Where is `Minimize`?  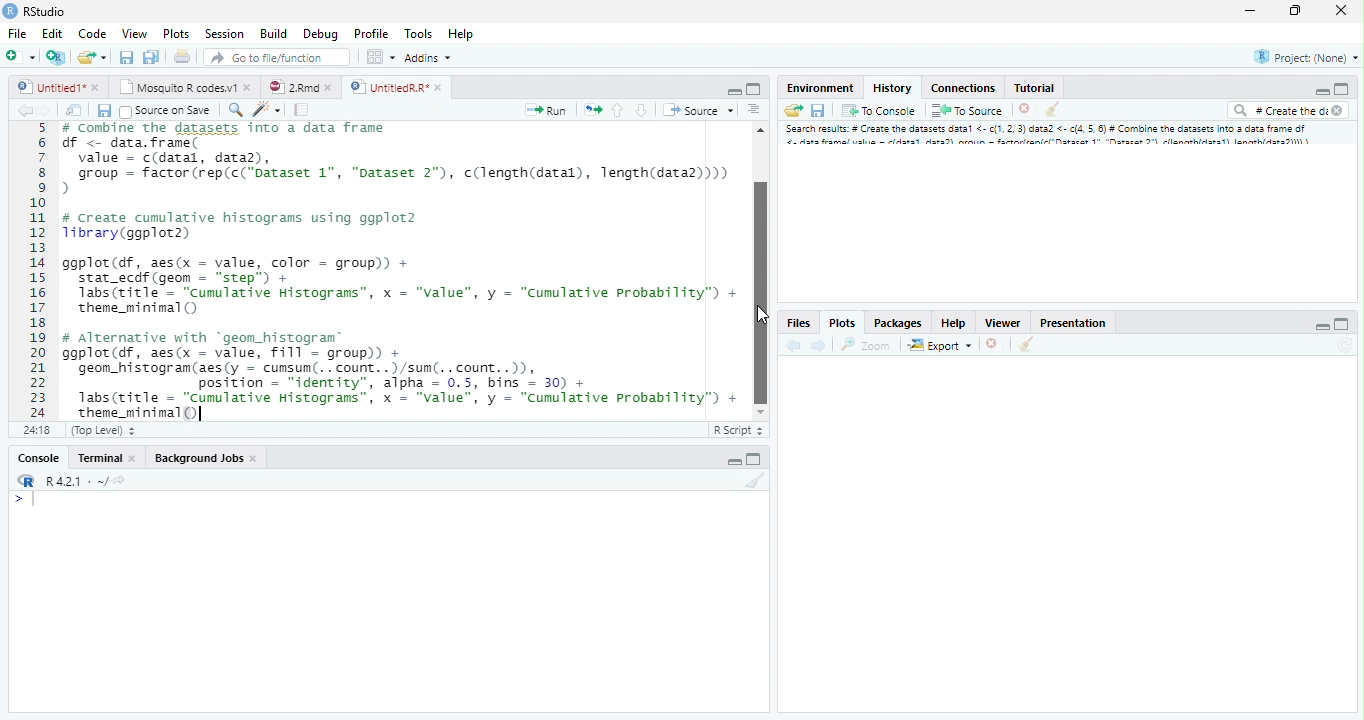
Minimize is located at coordinates (733, 461).